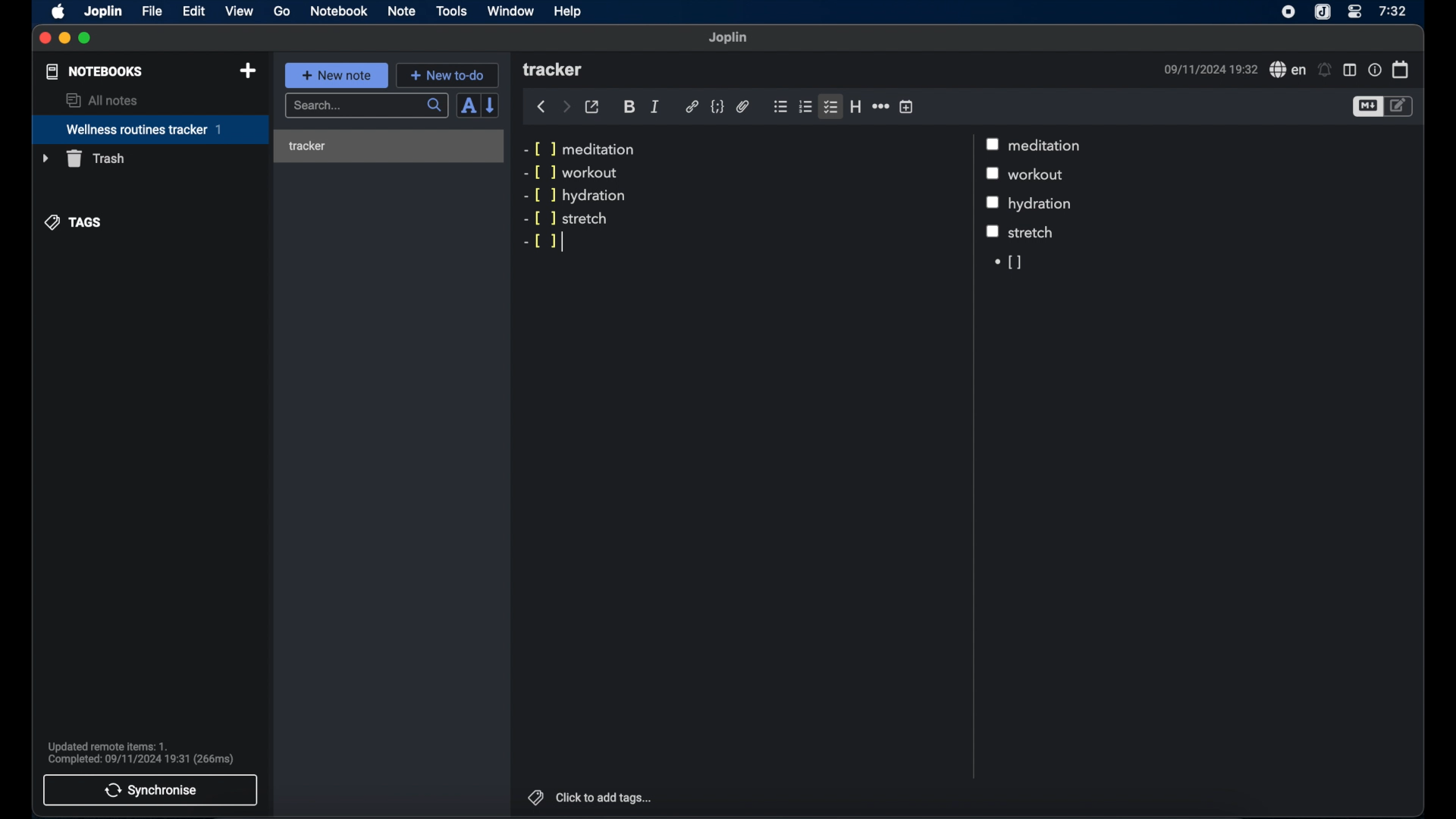 The width and height of the screenshot is (1456, 819). What do you see at coordinates (582, 149) in the screenshot?
I see `-[ ] meditation` at bounding box center [582, 149].